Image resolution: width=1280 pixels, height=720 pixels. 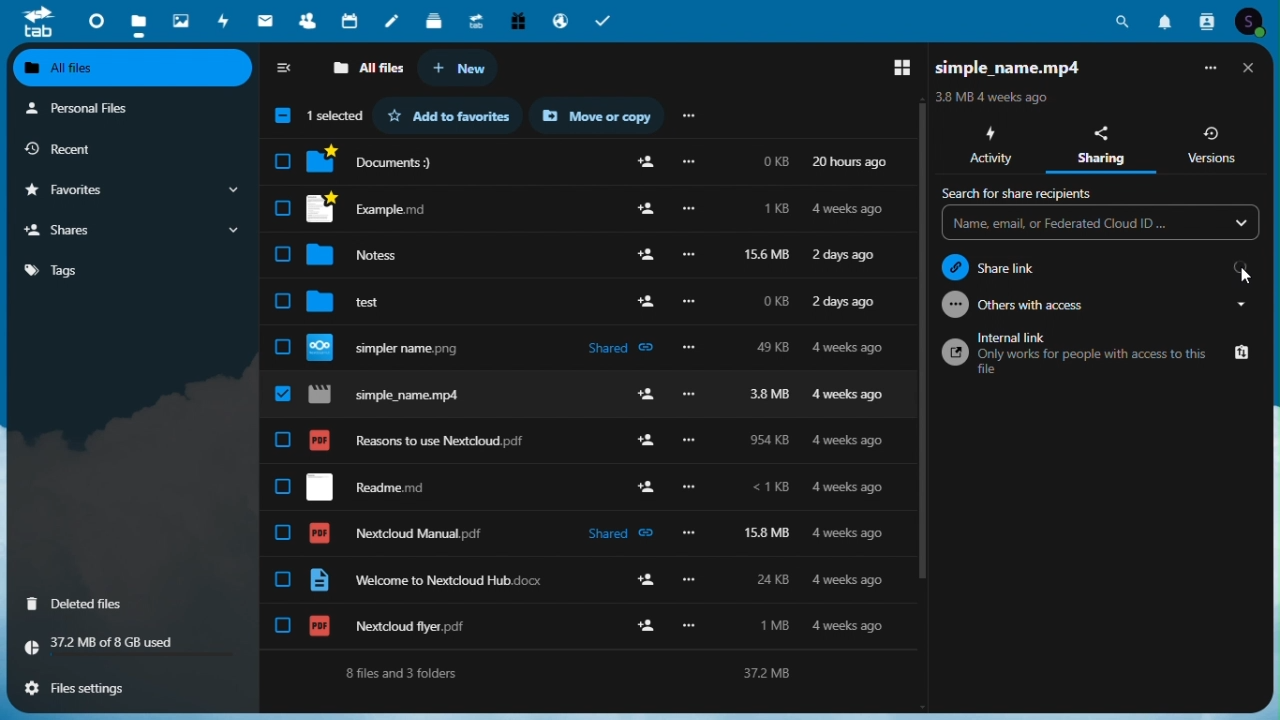 What do you see at coordinates (393, 22) in the screenshot?
I see `notes` at bounding box center [393, 22].